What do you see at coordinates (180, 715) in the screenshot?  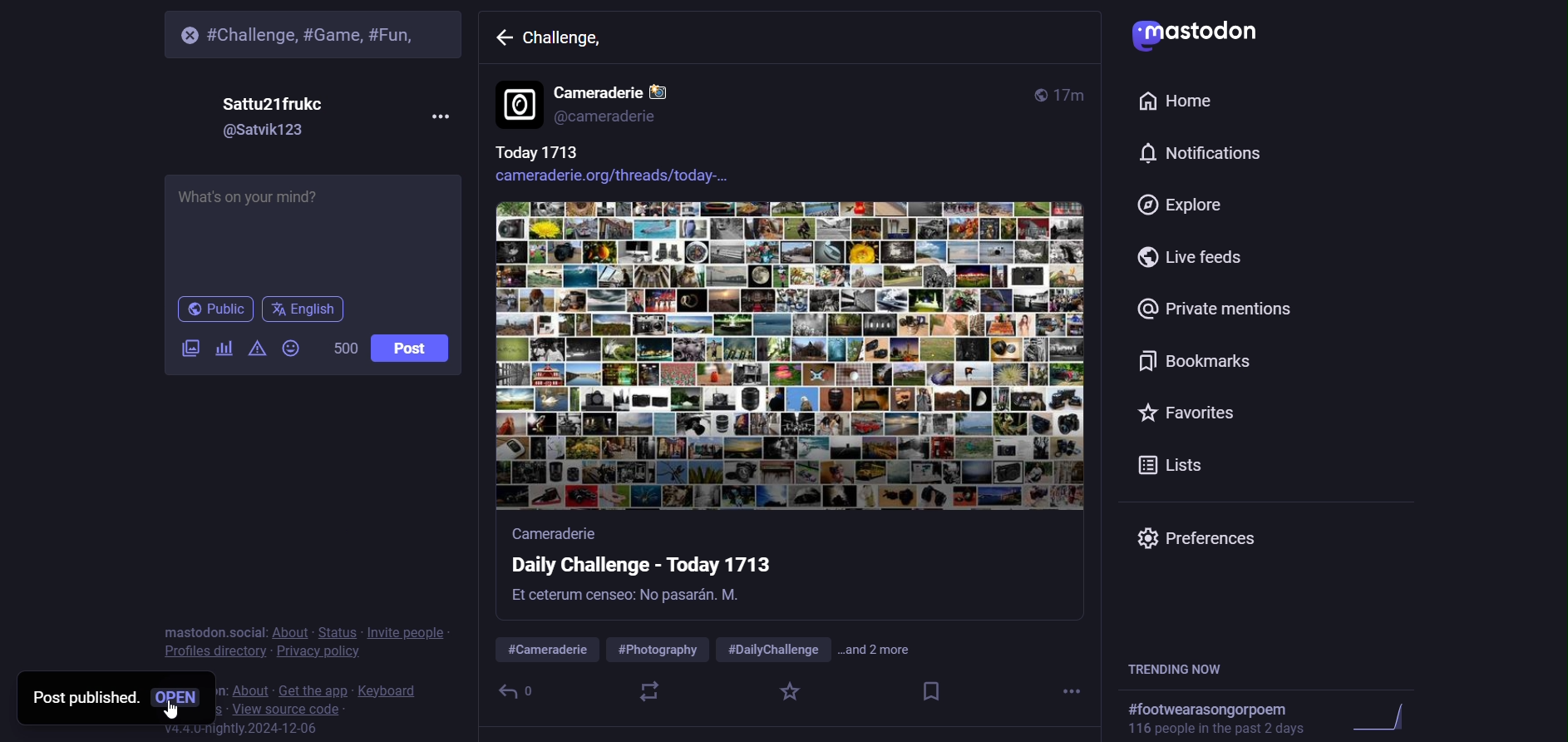 I see `cursor` at bounding box center [180, 715].